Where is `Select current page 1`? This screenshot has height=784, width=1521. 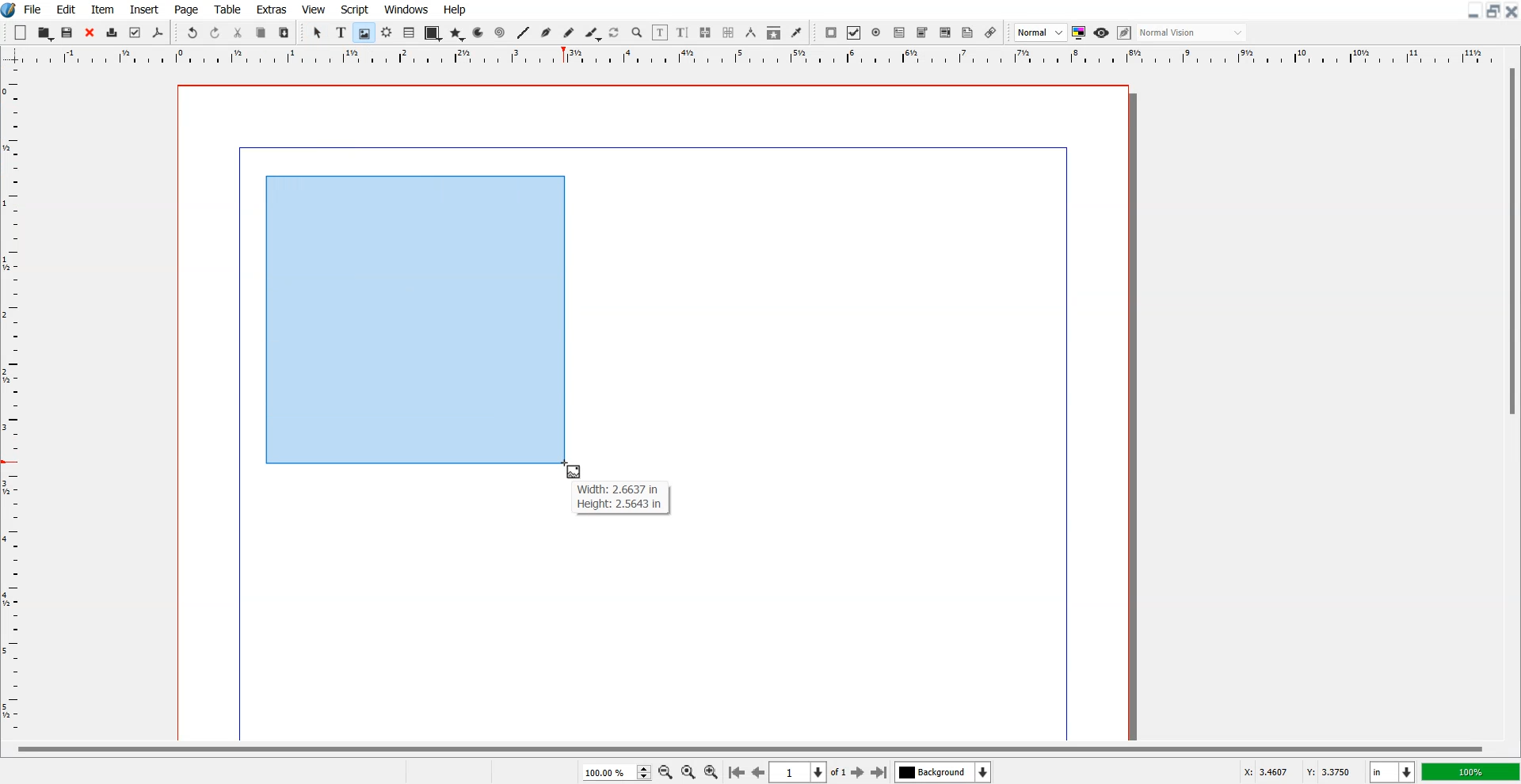
Select current page 1 is located at coordinates (810, 772).